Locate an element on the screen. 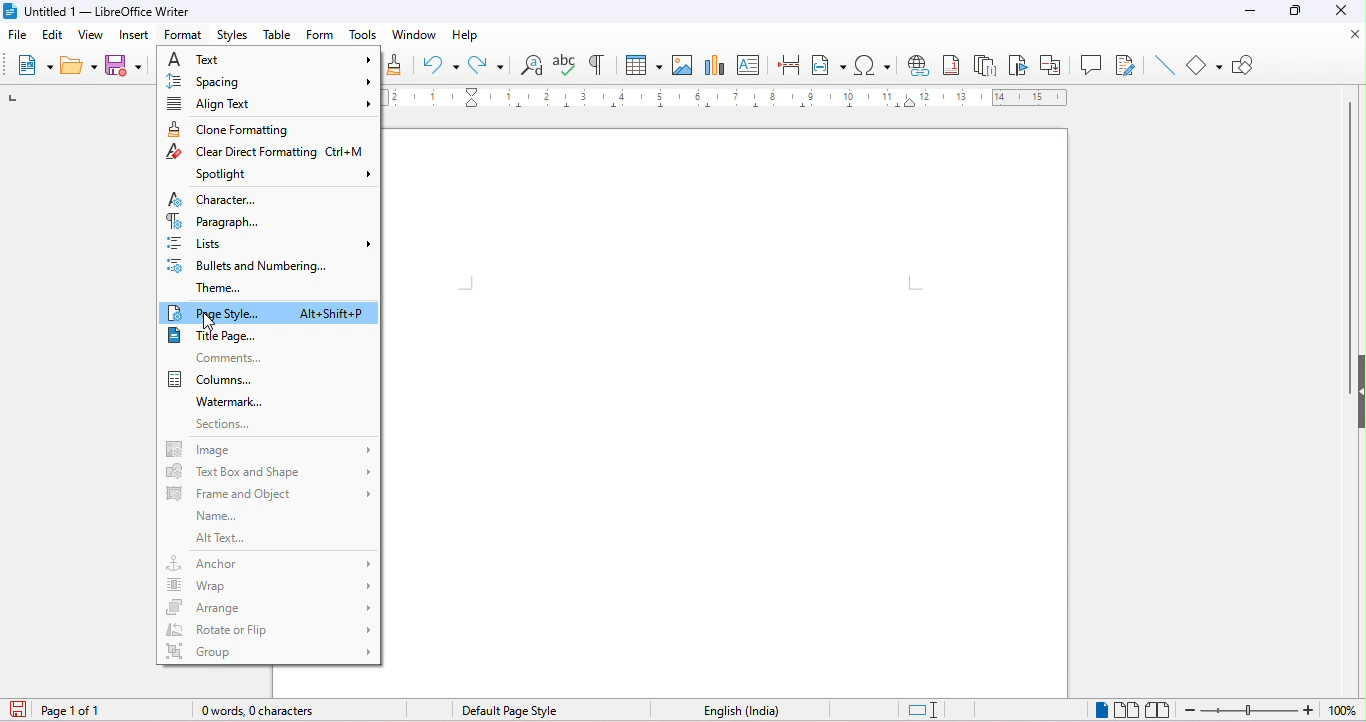 The height and width of the screenshot is (722, 1366). undo is located at coordinates (439, 64).